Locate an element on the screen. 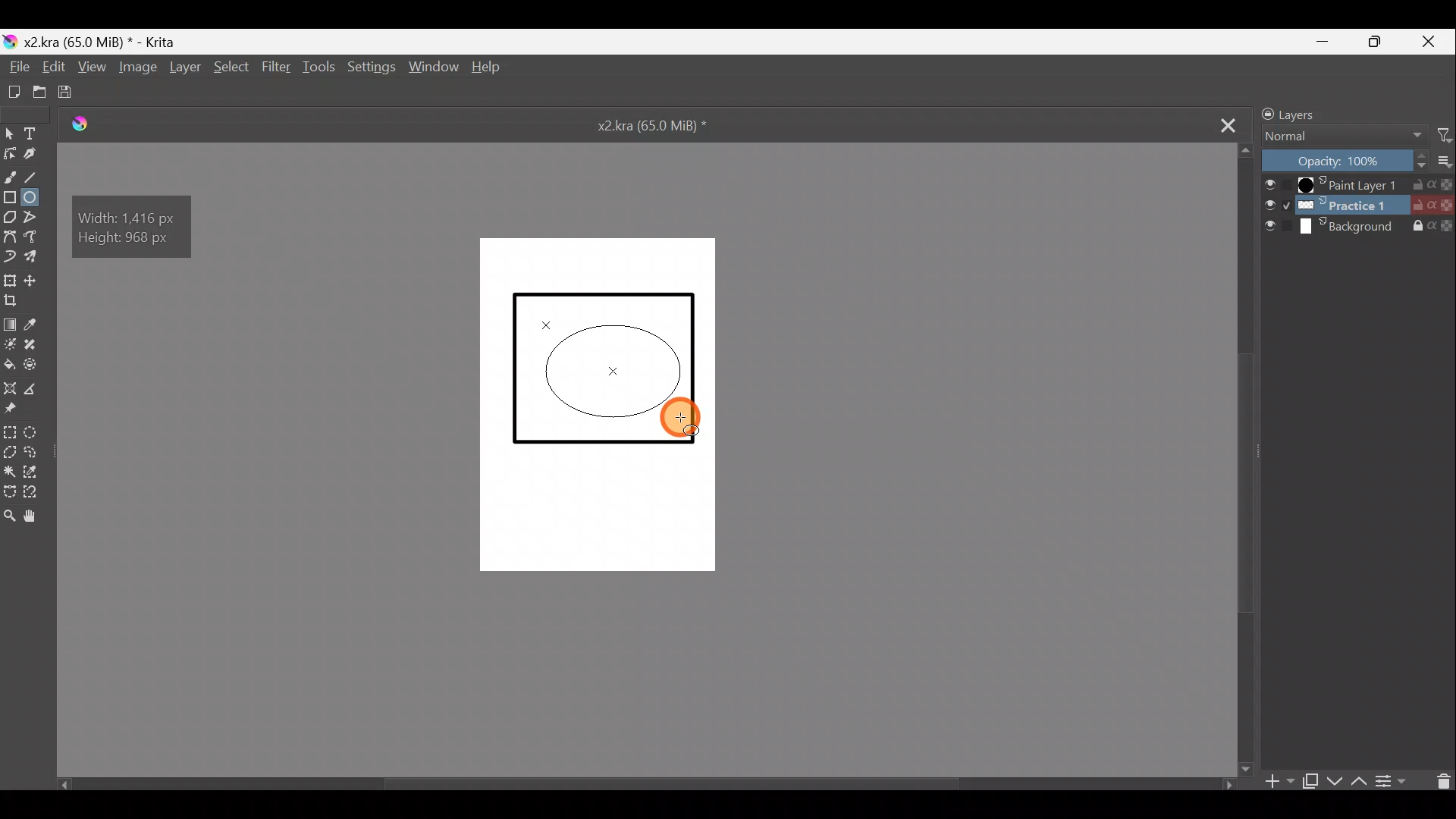 This screenshot has width=1456, height=819. Rectangle tool is located at coordinates (11, 196).